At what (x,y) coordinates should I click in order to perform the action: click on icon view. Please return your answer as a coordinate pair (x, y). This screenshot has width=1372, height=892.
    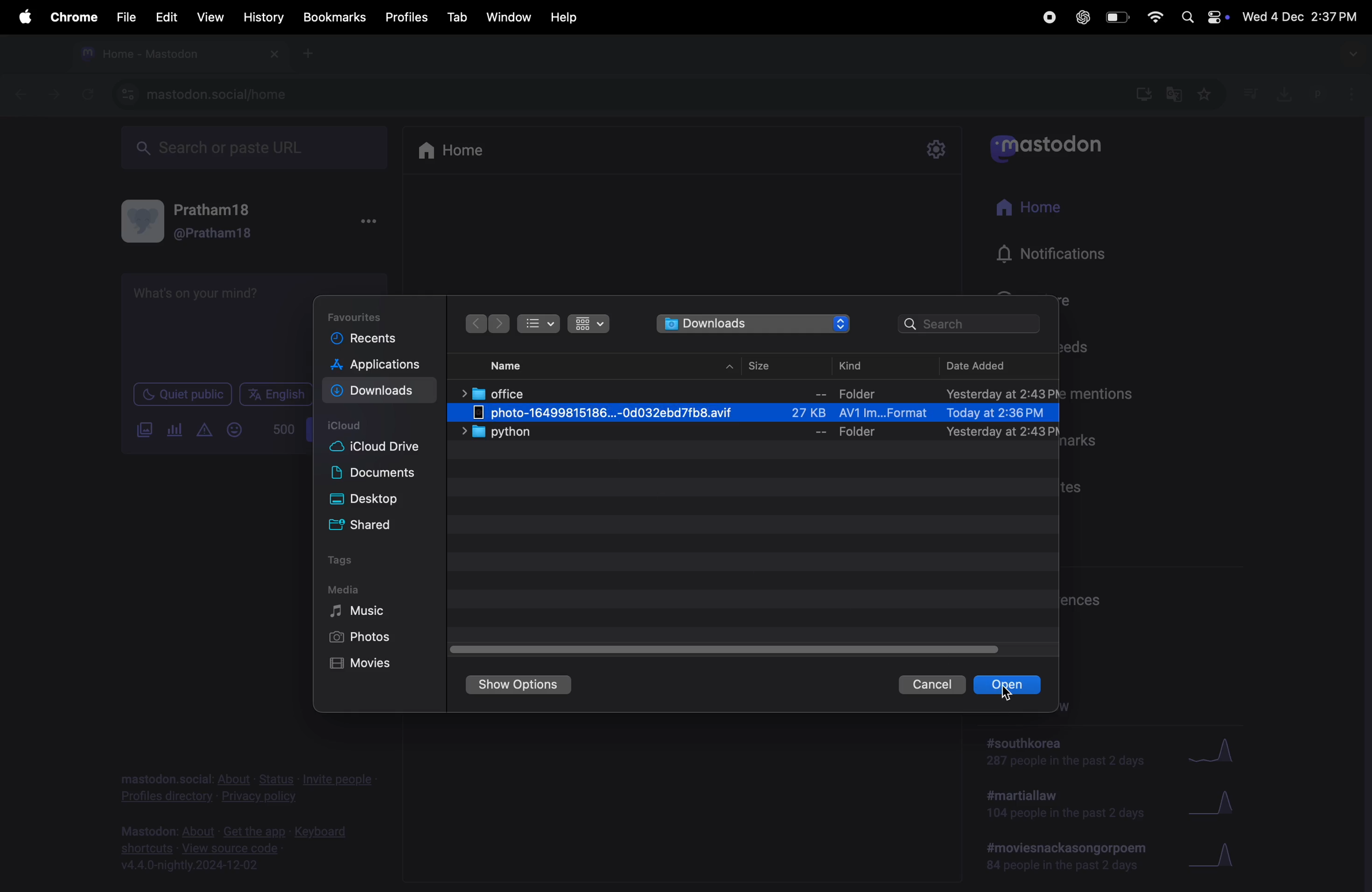
    Looking at the image, I should click on (590, 324).